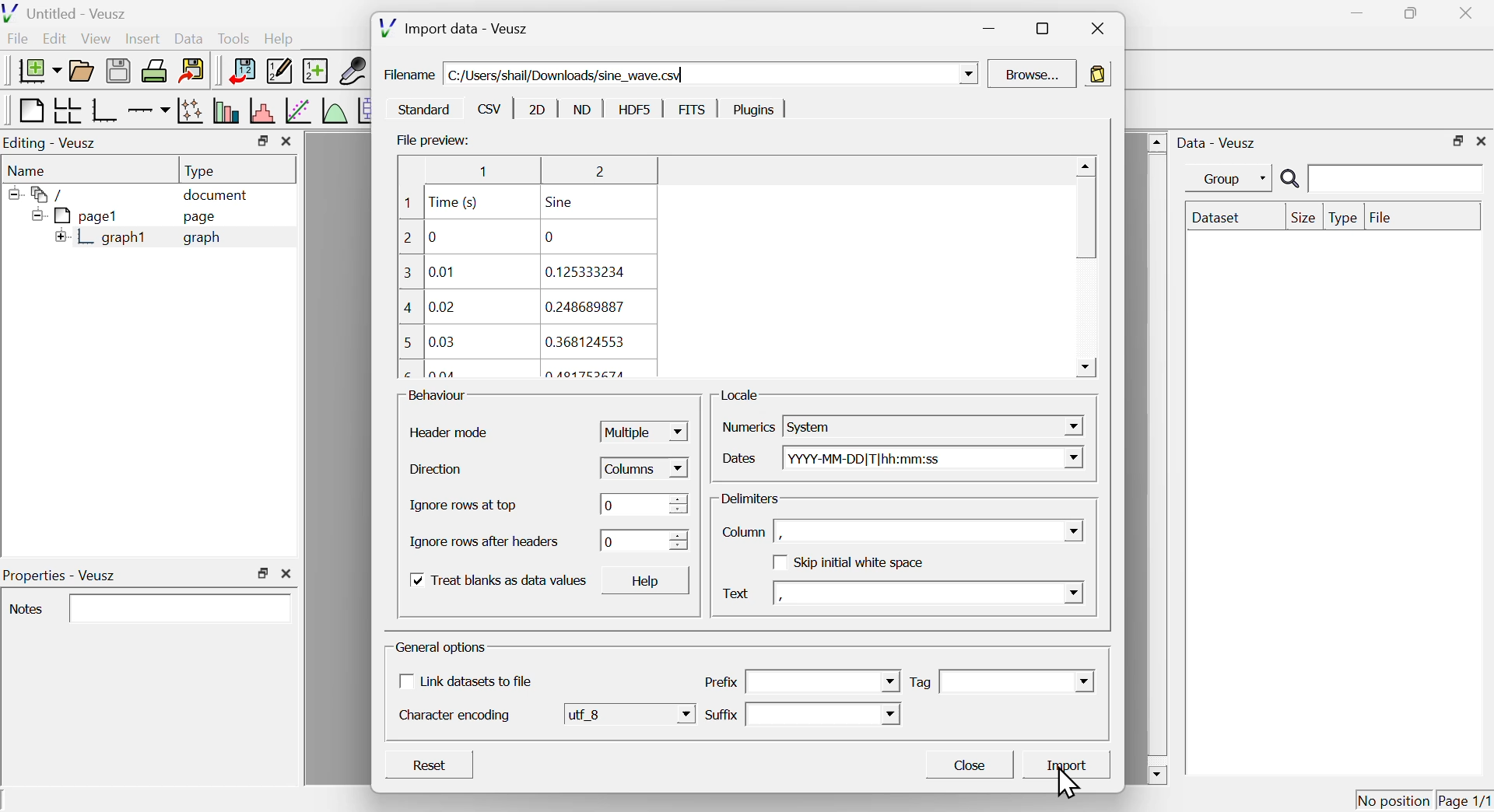 Image resolution: width=1494 pixels, height=812 pixels. What do you see at coordinates (1407, 14) in the screenshot?
I see `maximize` at bounding box center [1407, 14].